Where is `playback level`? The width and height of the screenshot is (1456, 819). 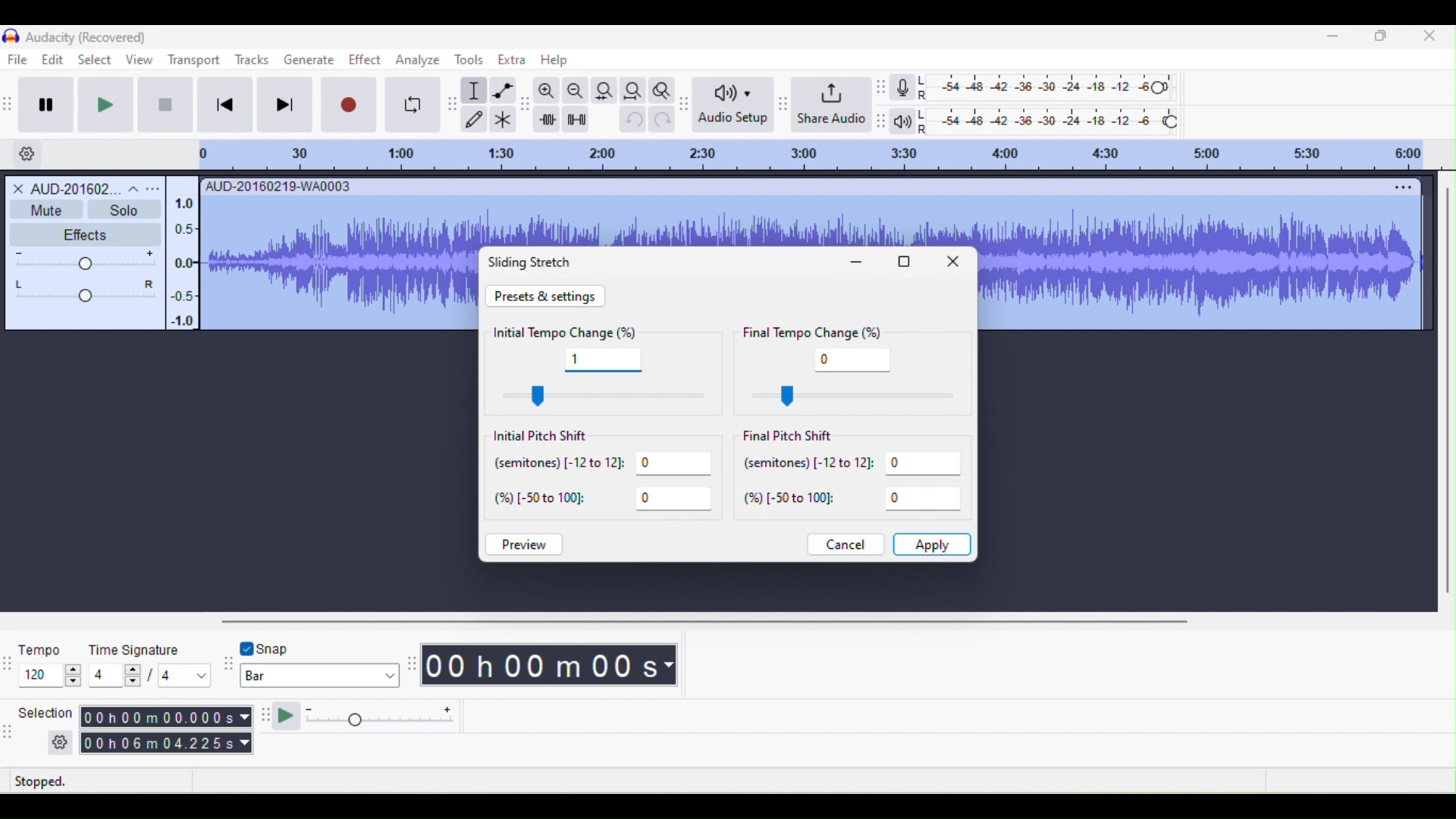 playback level is located at coordinates (1049, 119).